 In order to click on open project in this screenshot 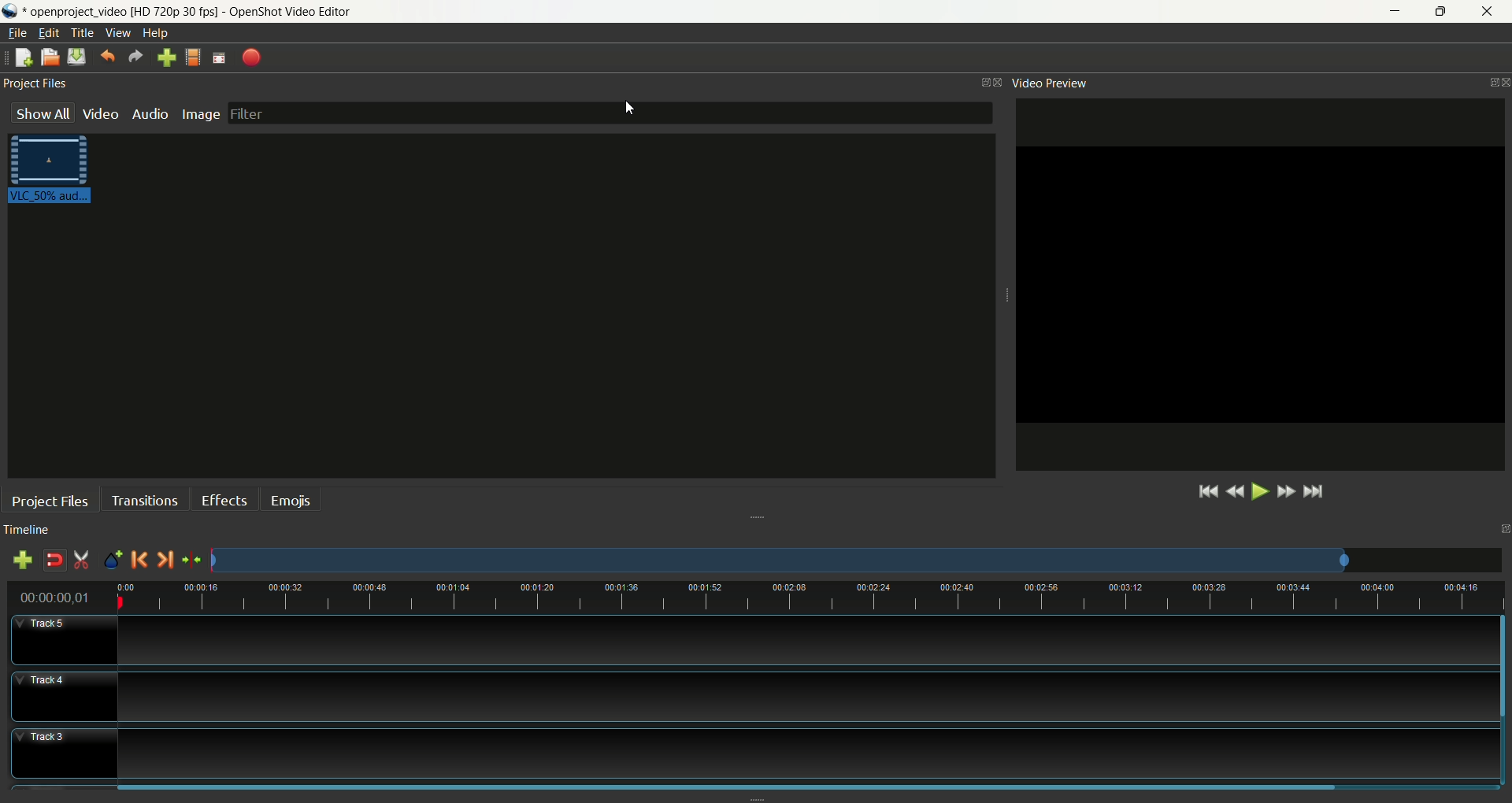, I will do `click(50, 59)`.